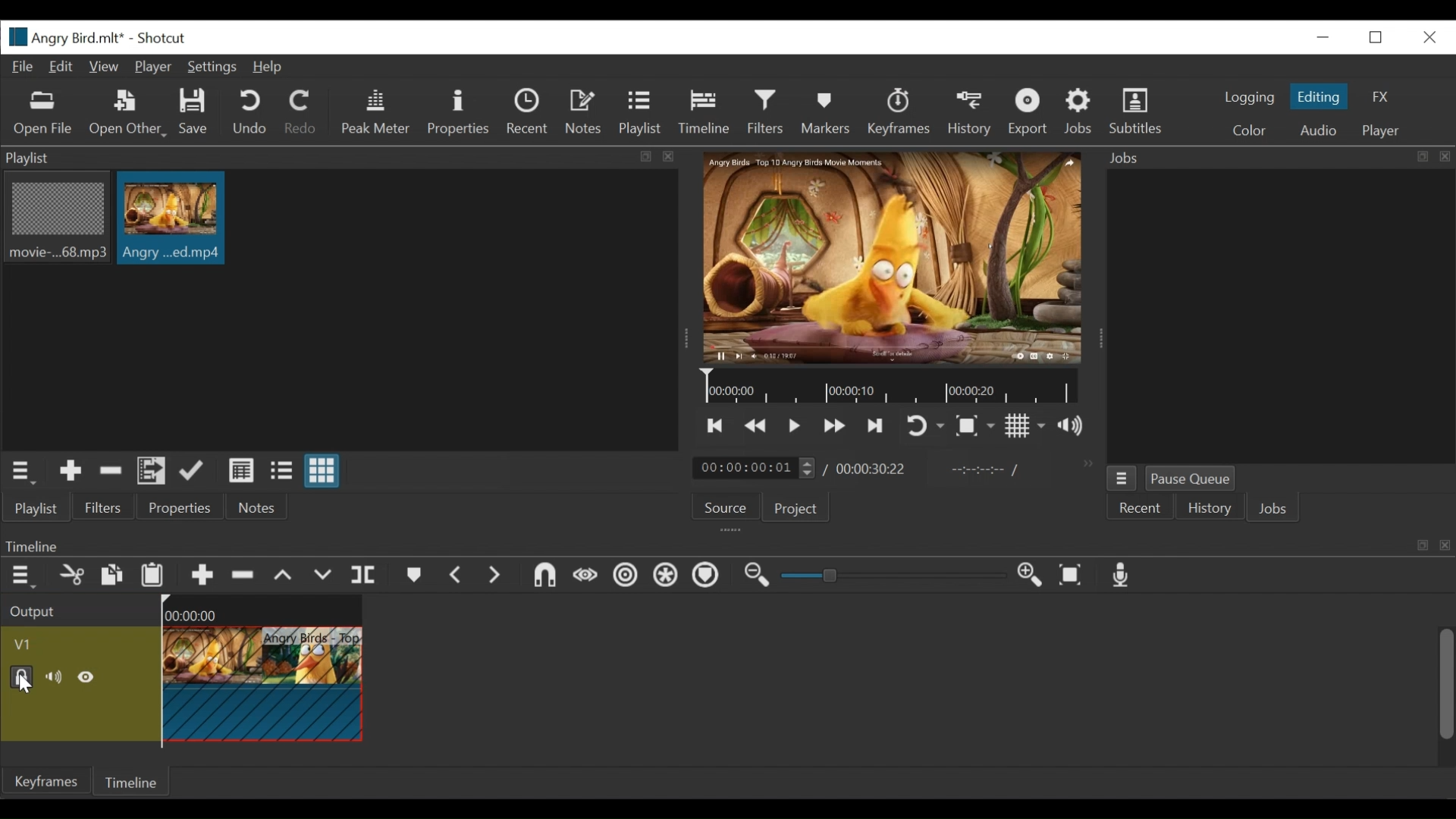 The height and width of the screenshot is (819, 1456). What do you see at coordinates (497, 577) in the screenshot?
I see `Next Marker` at bounding box center [497, 577].